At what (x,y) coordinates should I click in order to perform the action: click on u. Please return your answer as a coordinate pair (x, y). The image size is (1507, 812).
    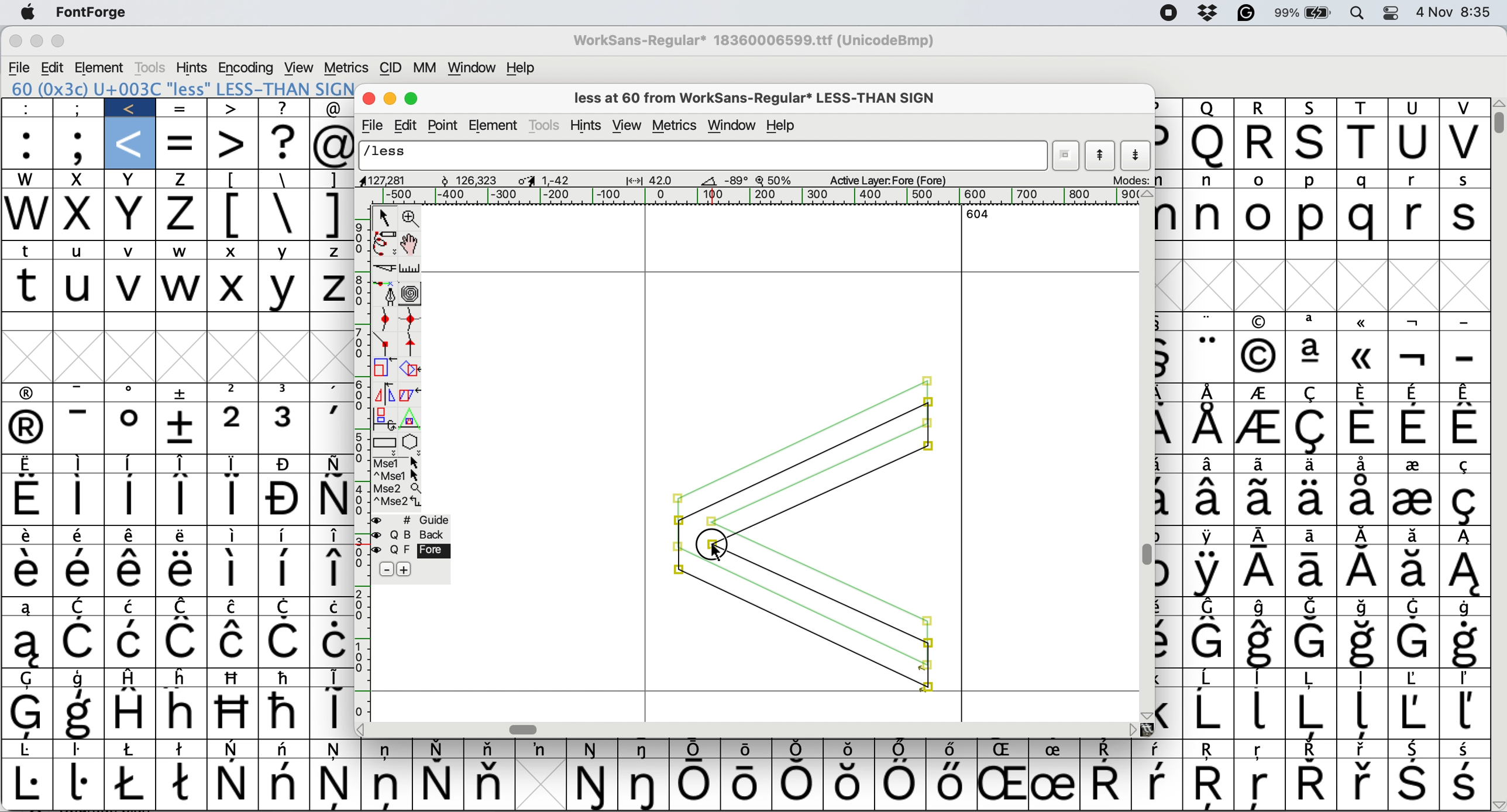
    Looking at the image, I should click on (1413, 142).